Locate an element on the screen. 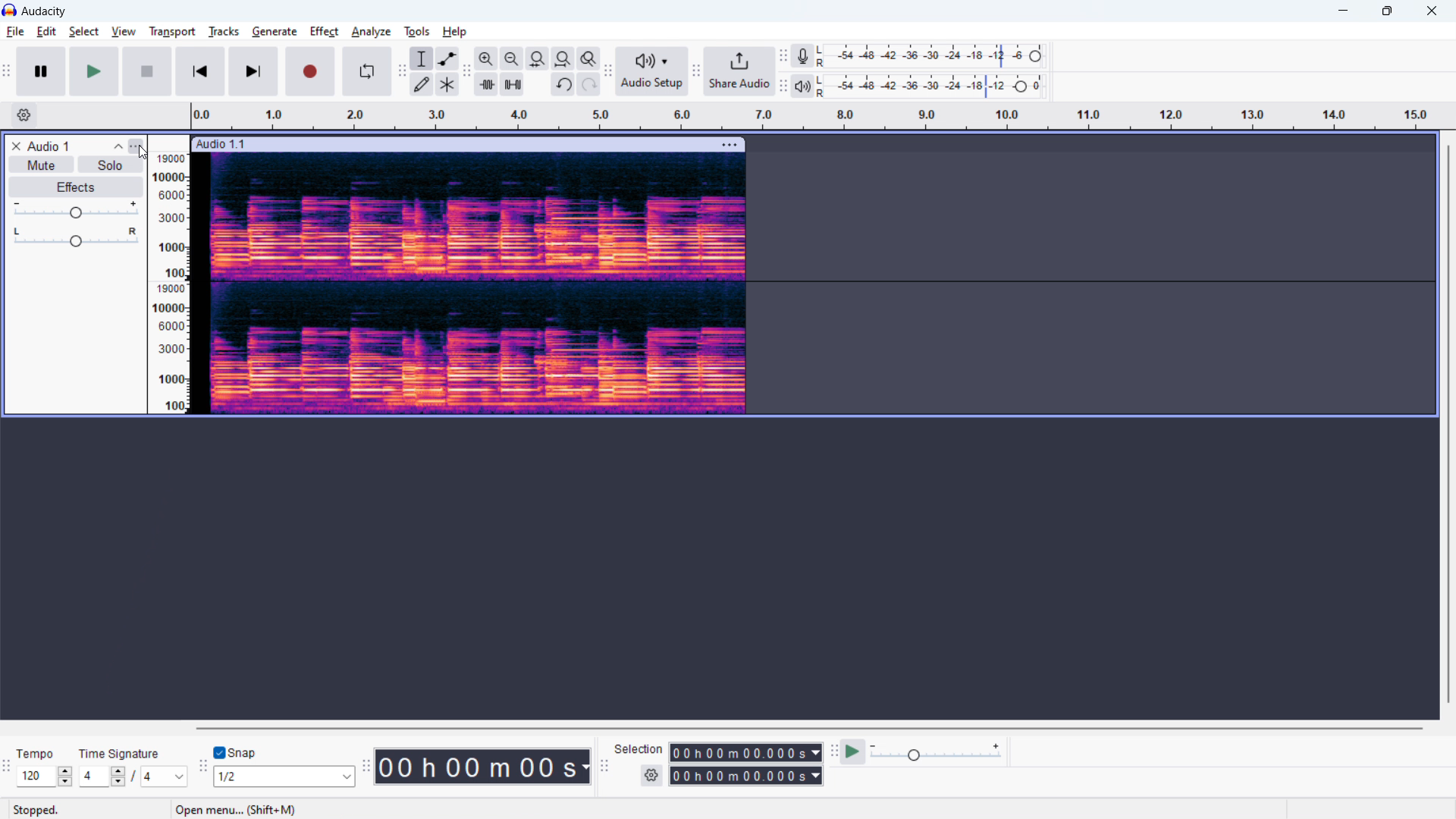 Image resolution: width=1456 pixels, height=819 pixels. fit selection to width is located at coordinates (537, 58).